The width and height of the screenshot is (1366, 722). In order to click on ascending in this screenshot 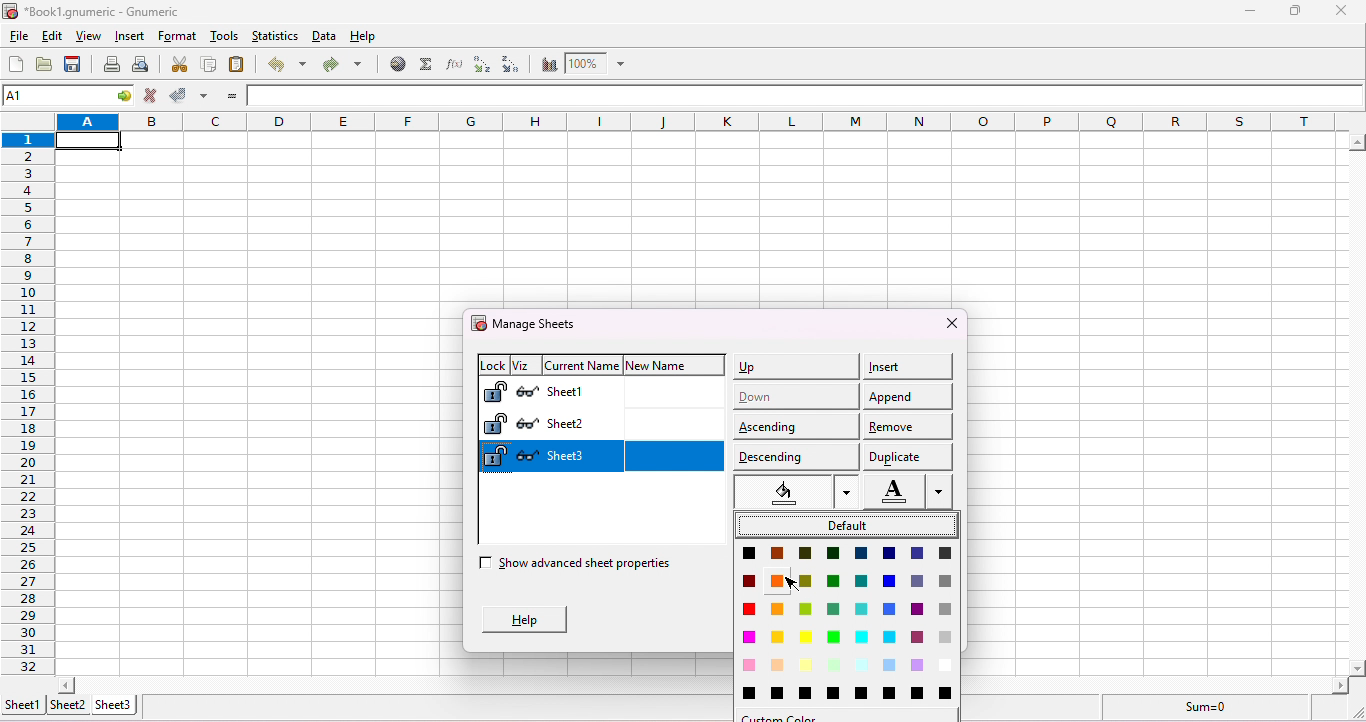, I will do `click(794, 423)`.